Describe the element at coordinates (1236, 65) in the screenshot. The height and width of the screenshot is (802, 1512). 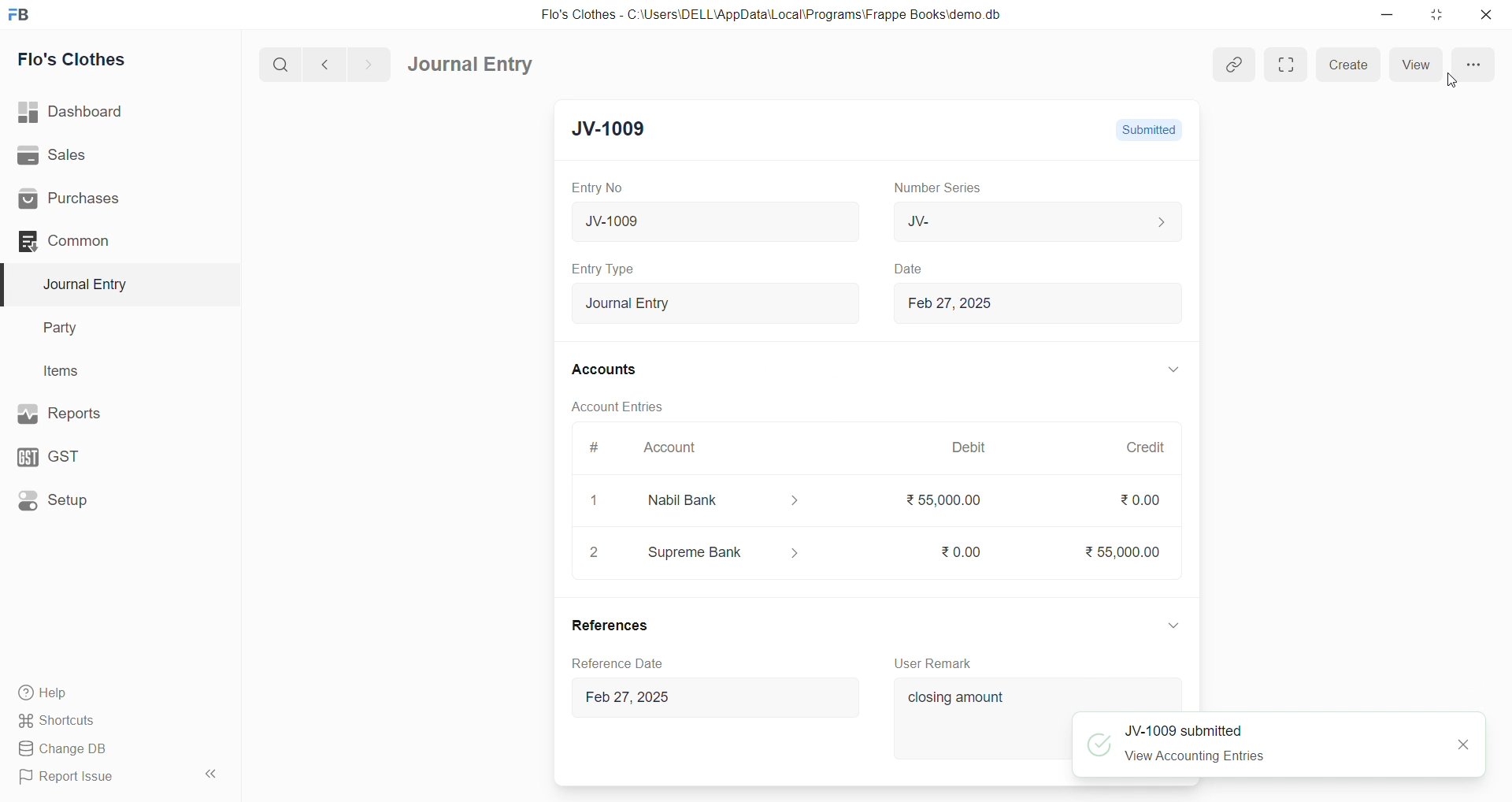
I see `link` at that location.